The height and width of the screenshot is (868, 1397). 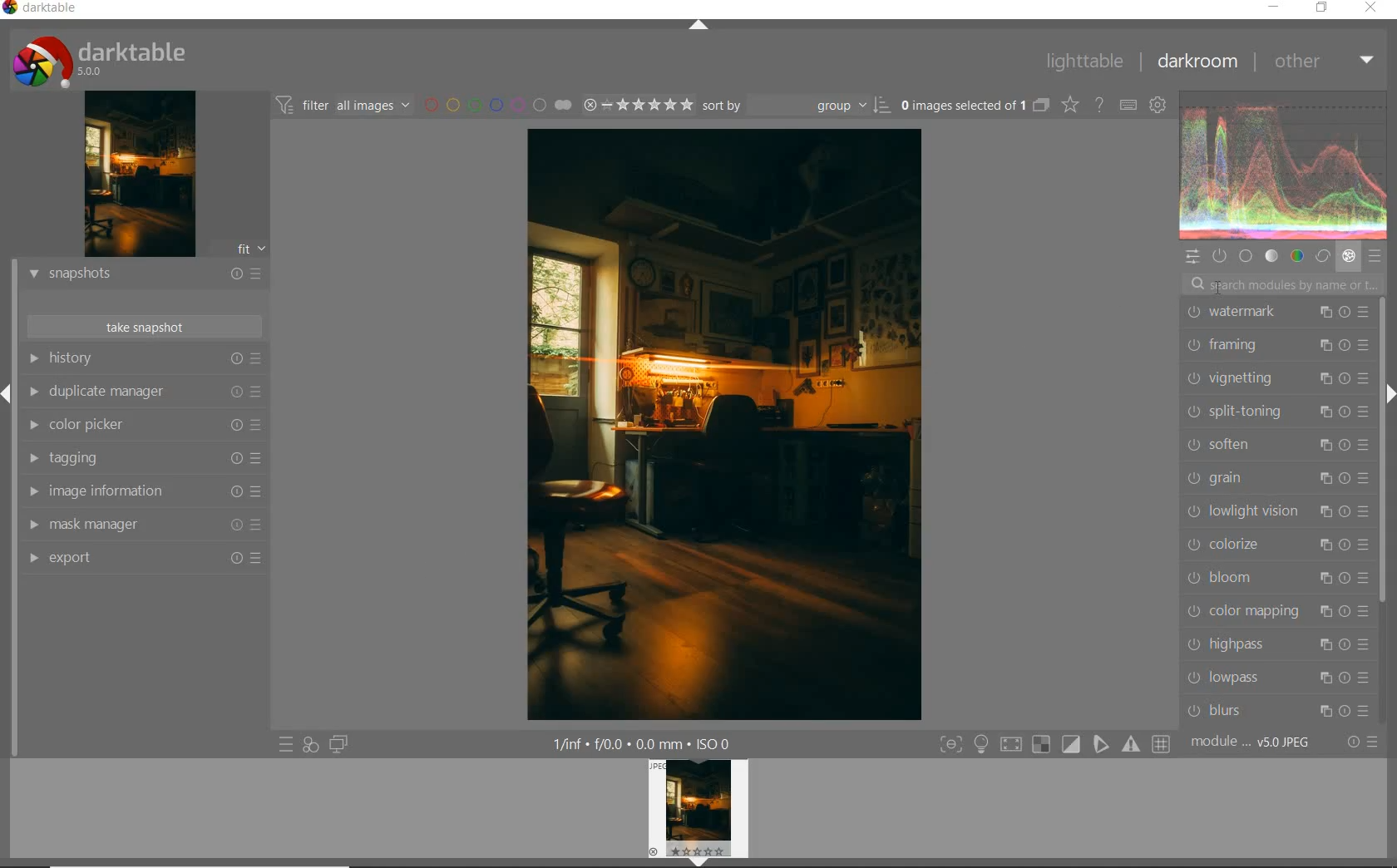 I want to click on vignetting, so click(x=1277, y=378).